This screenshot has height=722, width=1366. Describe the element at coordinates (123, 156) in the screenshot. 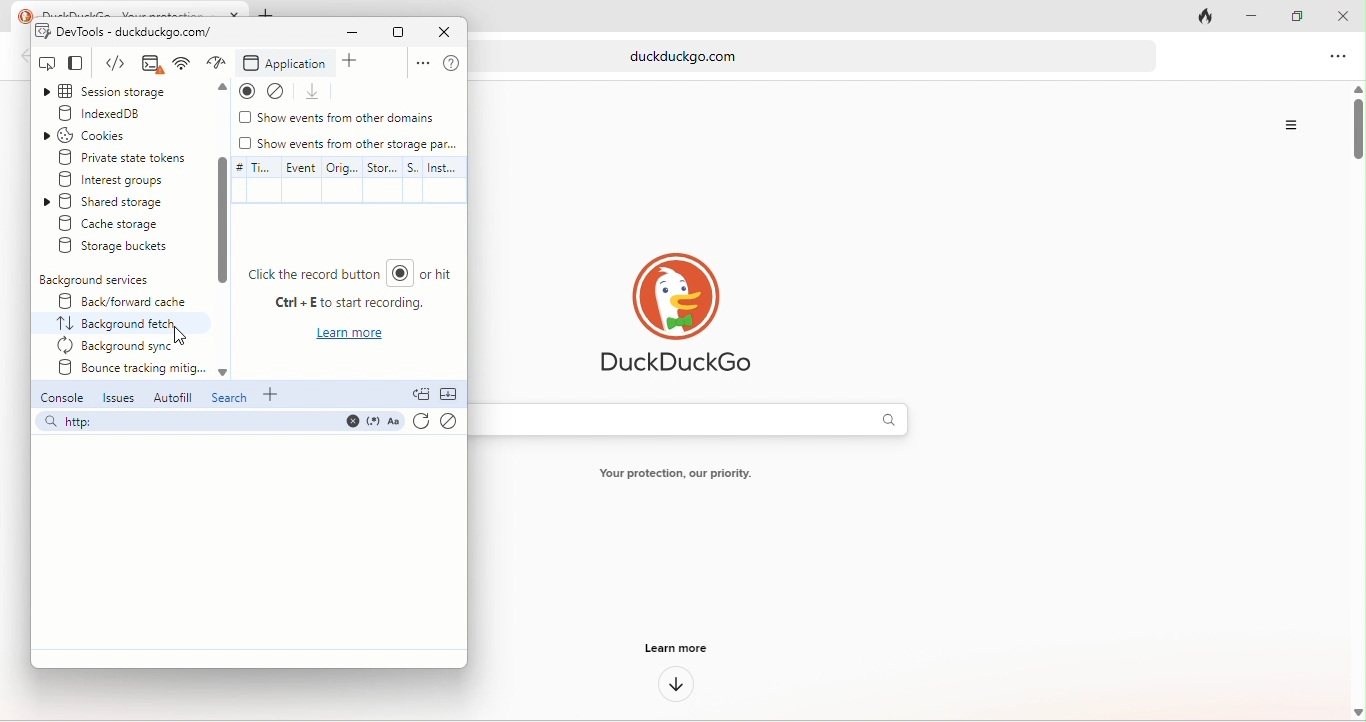

I see `private state tokens` at that location.